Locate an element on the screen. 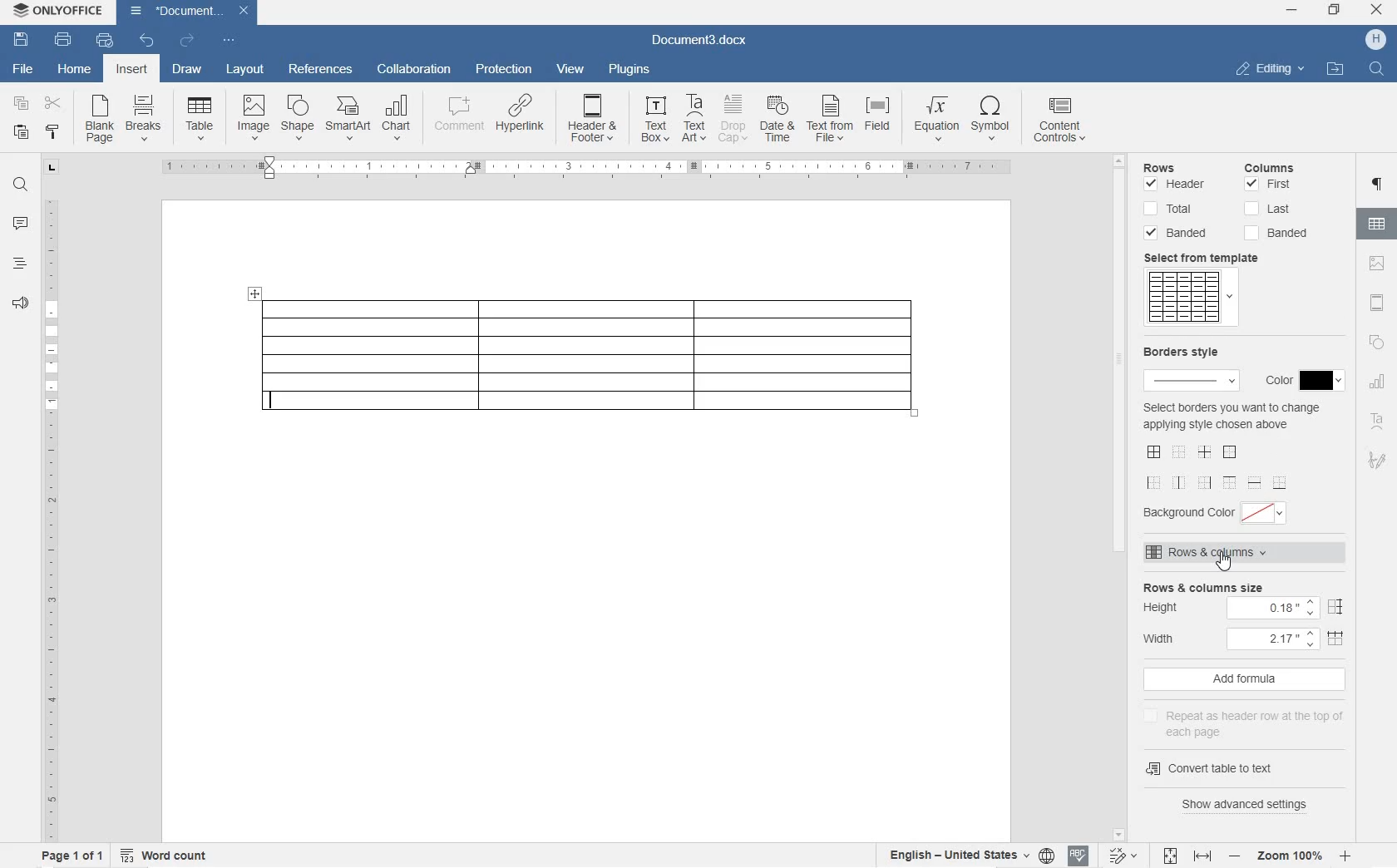 This screenshot has width=1397, height=868. TABLE SETTINGS is located at coordinates (1377, 224).